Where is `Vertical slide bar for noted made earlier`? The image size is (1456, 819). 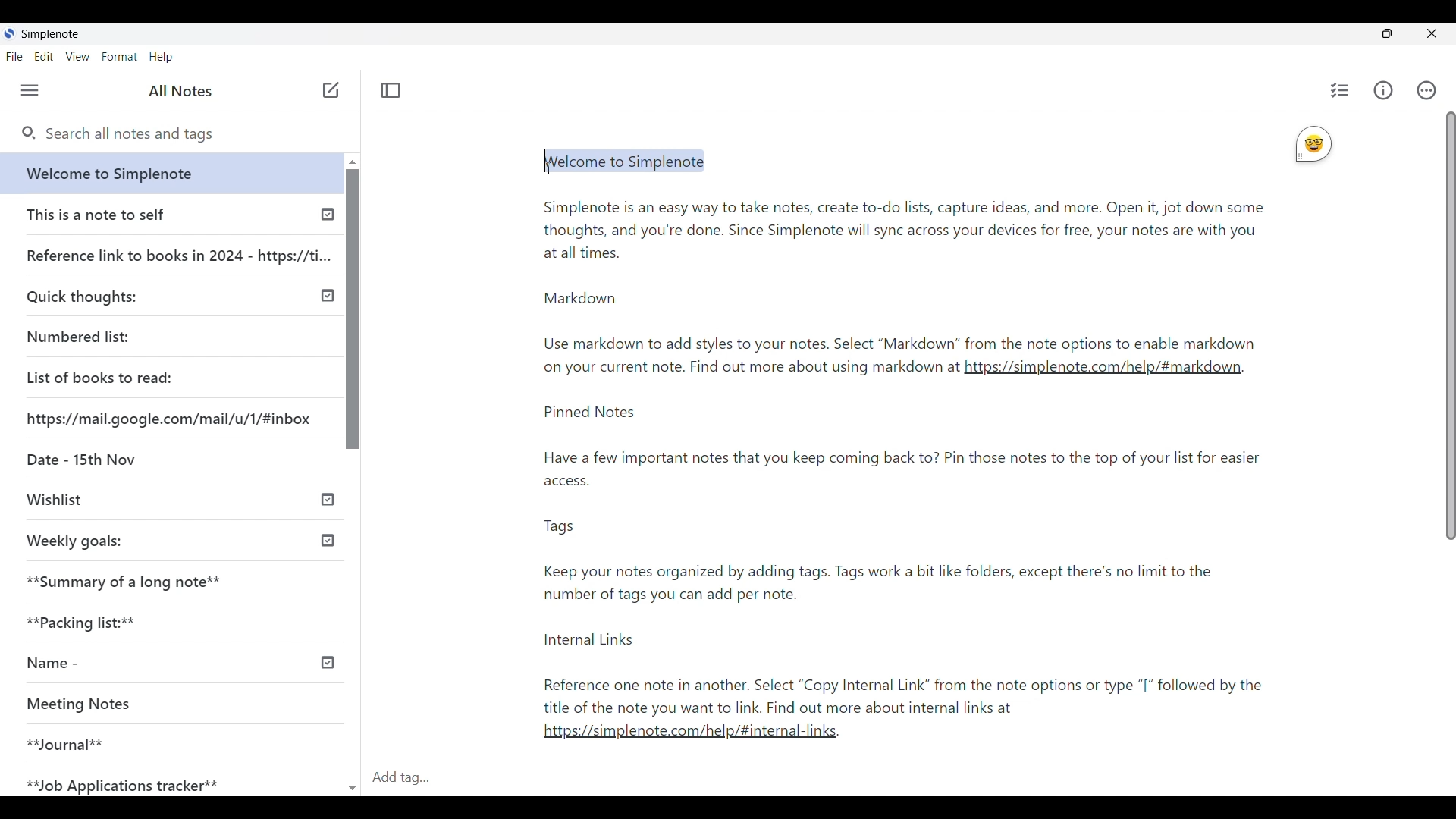
Vertical slide bar for noted made earlier is located at coordinates (350, 309).